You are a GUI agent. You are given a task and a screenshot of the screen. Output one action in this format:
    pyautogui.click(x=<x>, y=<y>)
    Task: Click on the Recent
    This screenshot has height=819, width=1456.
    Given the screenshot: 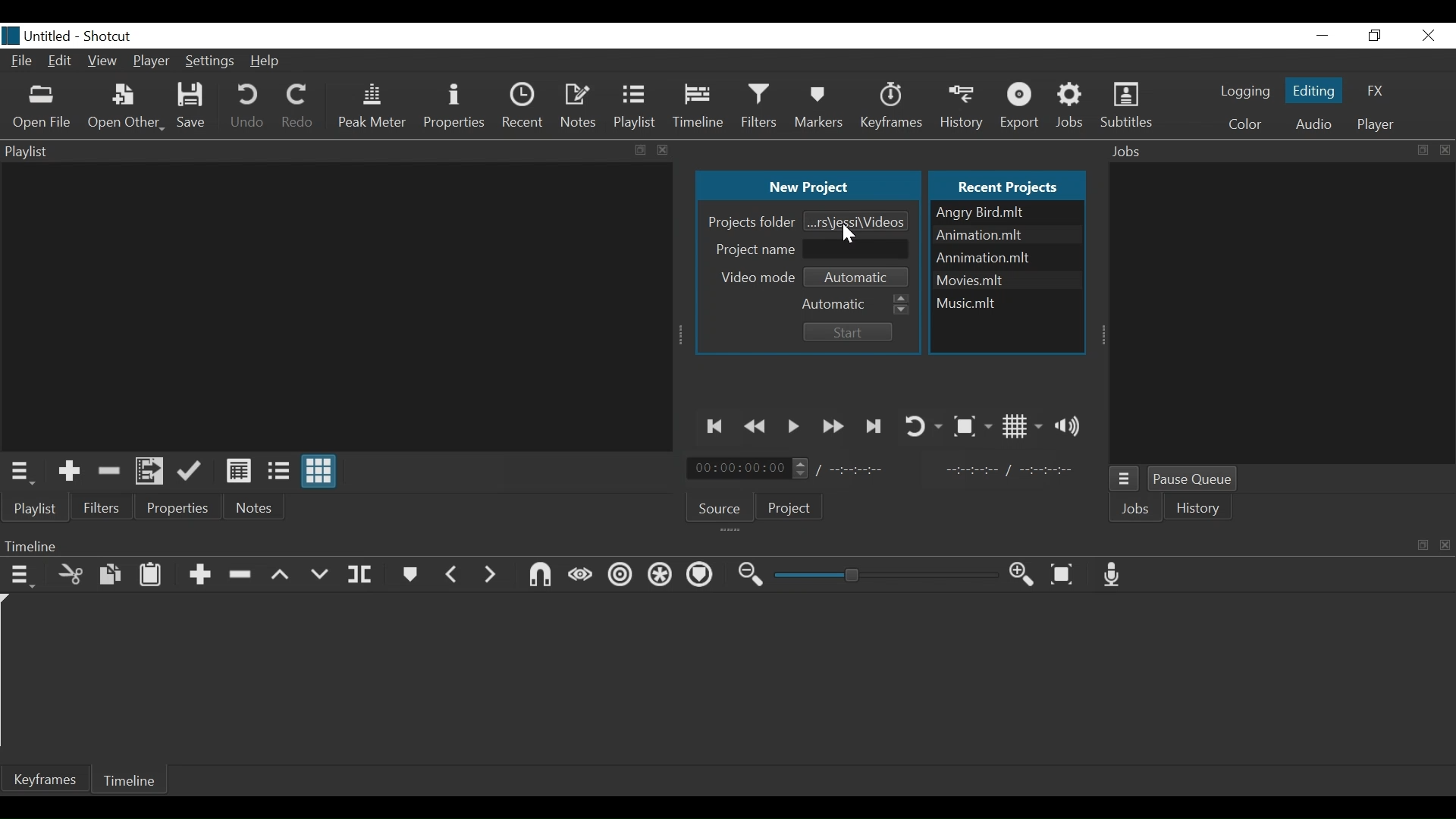 What is the action you would take?
    pyautogui.click(x=522, y=105)
    